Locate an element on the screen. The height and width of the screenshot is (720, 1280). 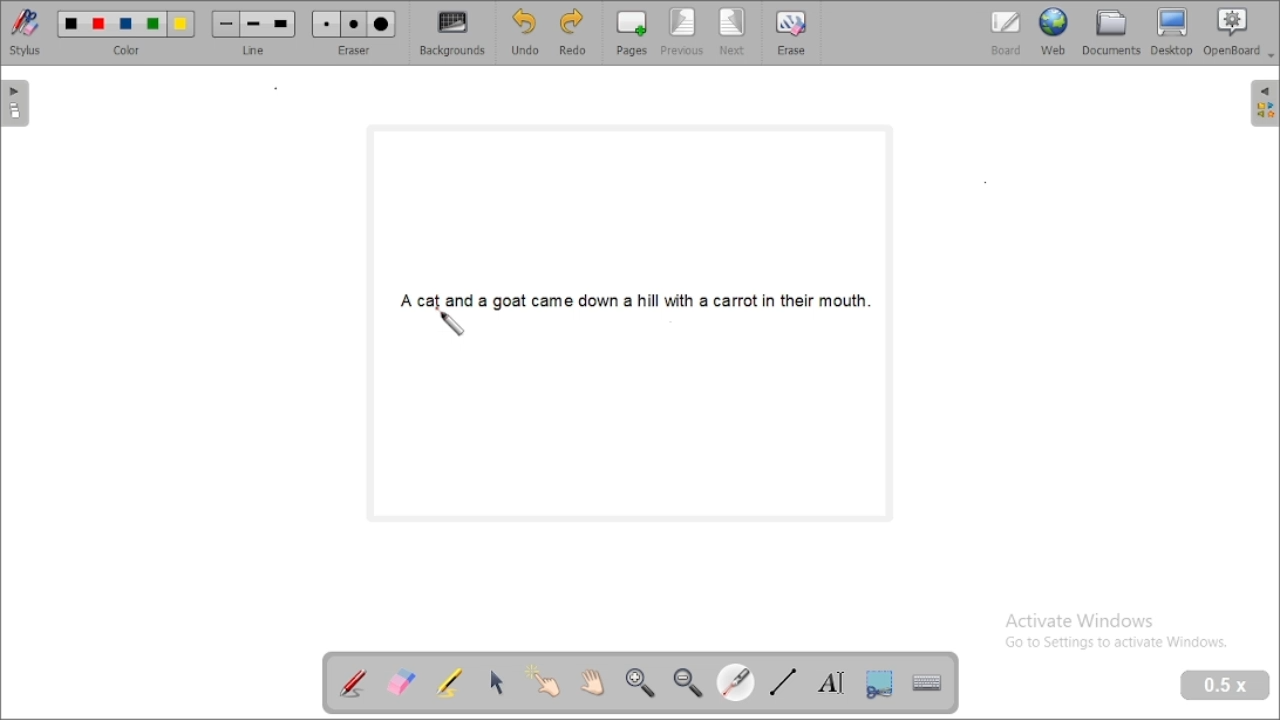
sidebar settings is located at coordinates (1263, 104).